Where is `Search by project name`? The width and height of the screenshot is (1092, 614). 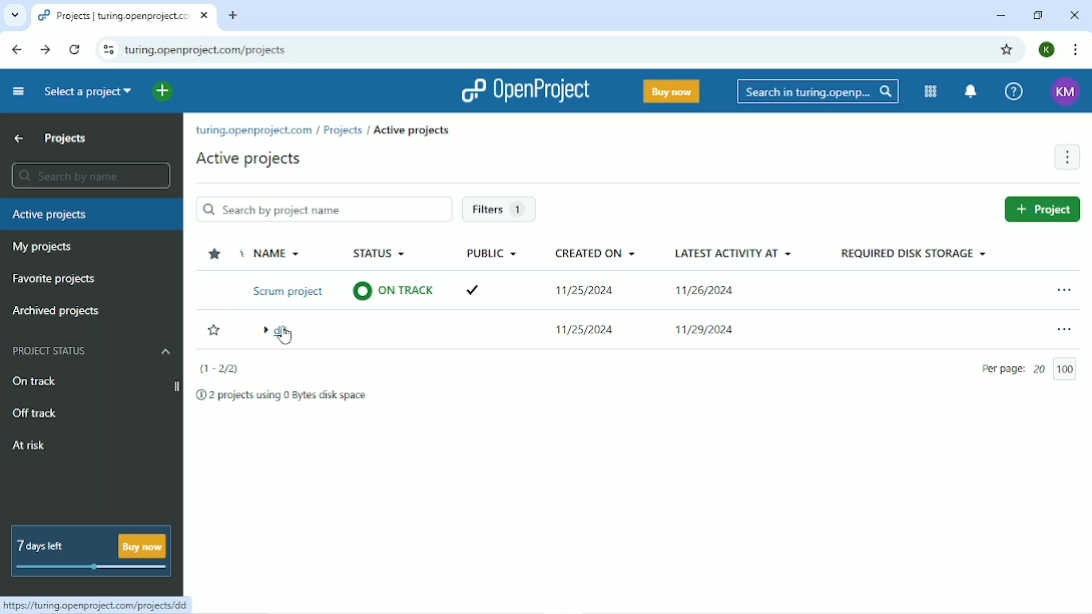 Search by project name is located at coordinates (319, 211).